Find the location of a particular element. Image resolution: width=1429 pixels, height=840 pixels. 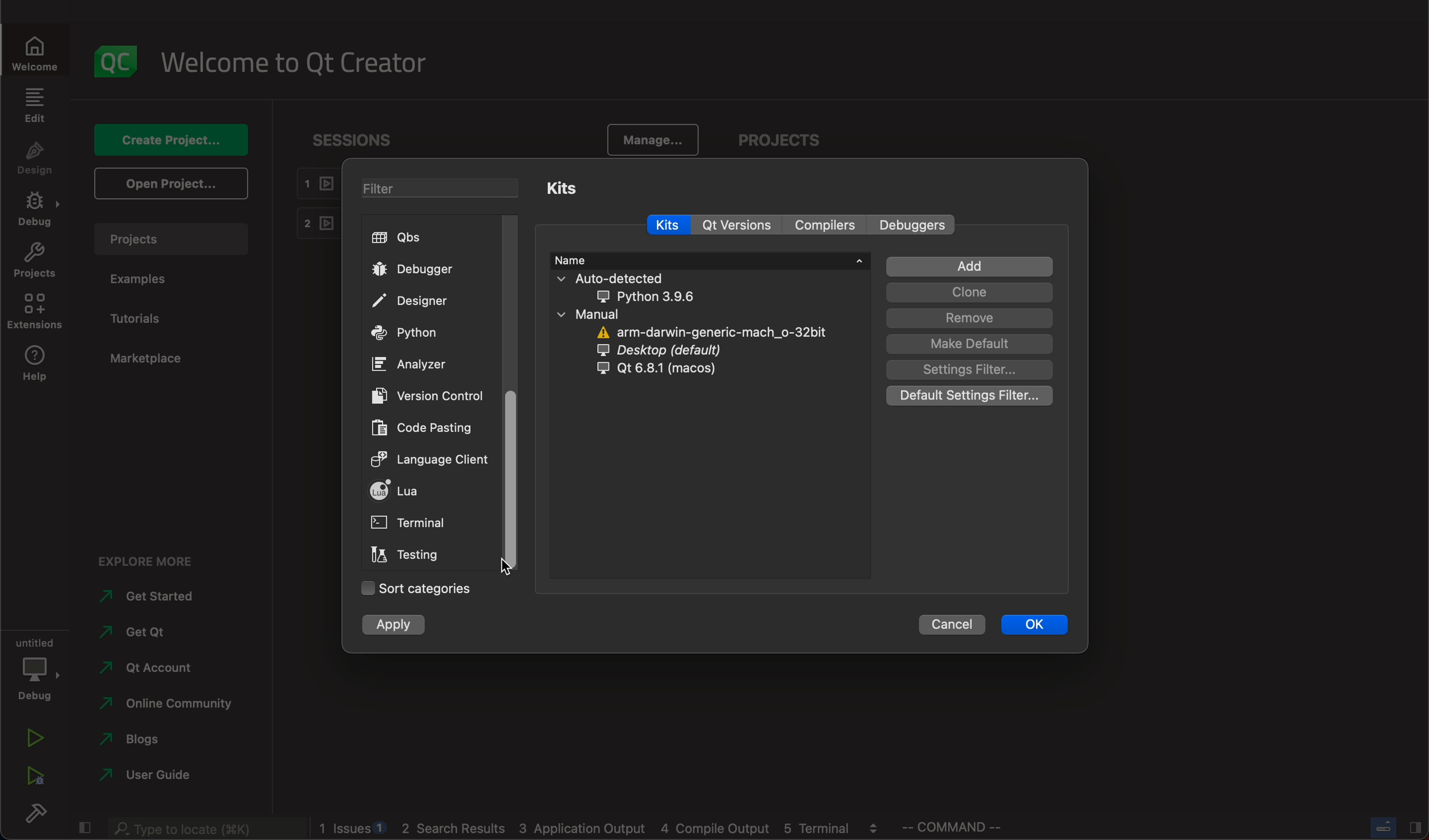

lua is located at coordinates (407, 490).